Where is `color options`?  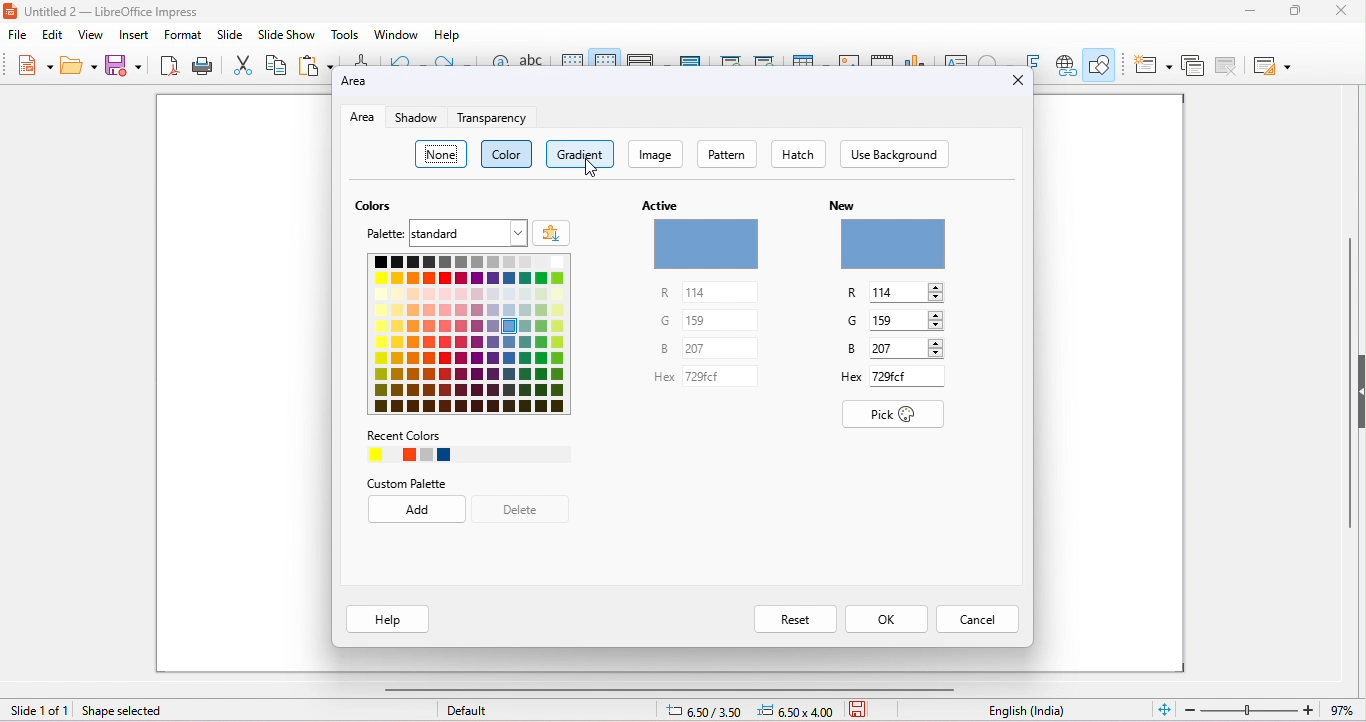 color options is located at coordinates (465, 337).